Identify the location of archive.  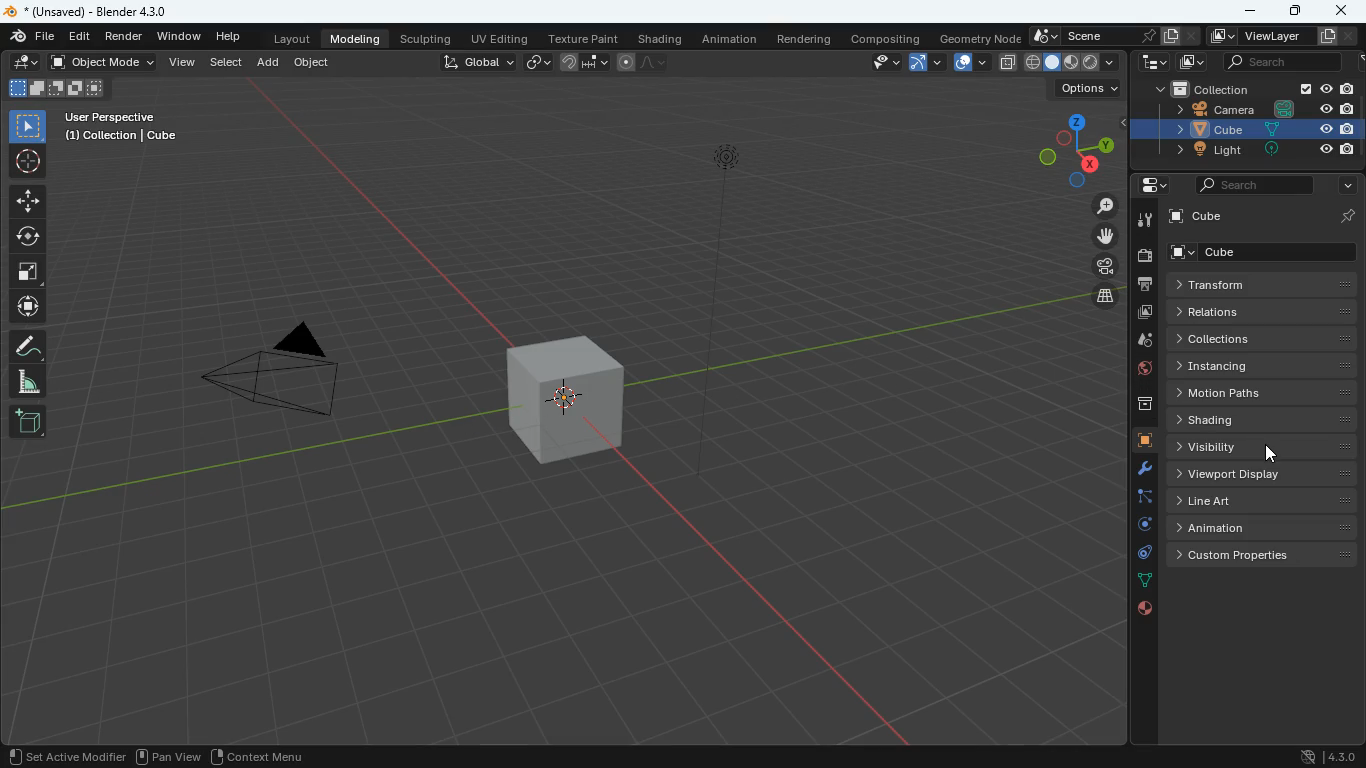
(1135, 404).